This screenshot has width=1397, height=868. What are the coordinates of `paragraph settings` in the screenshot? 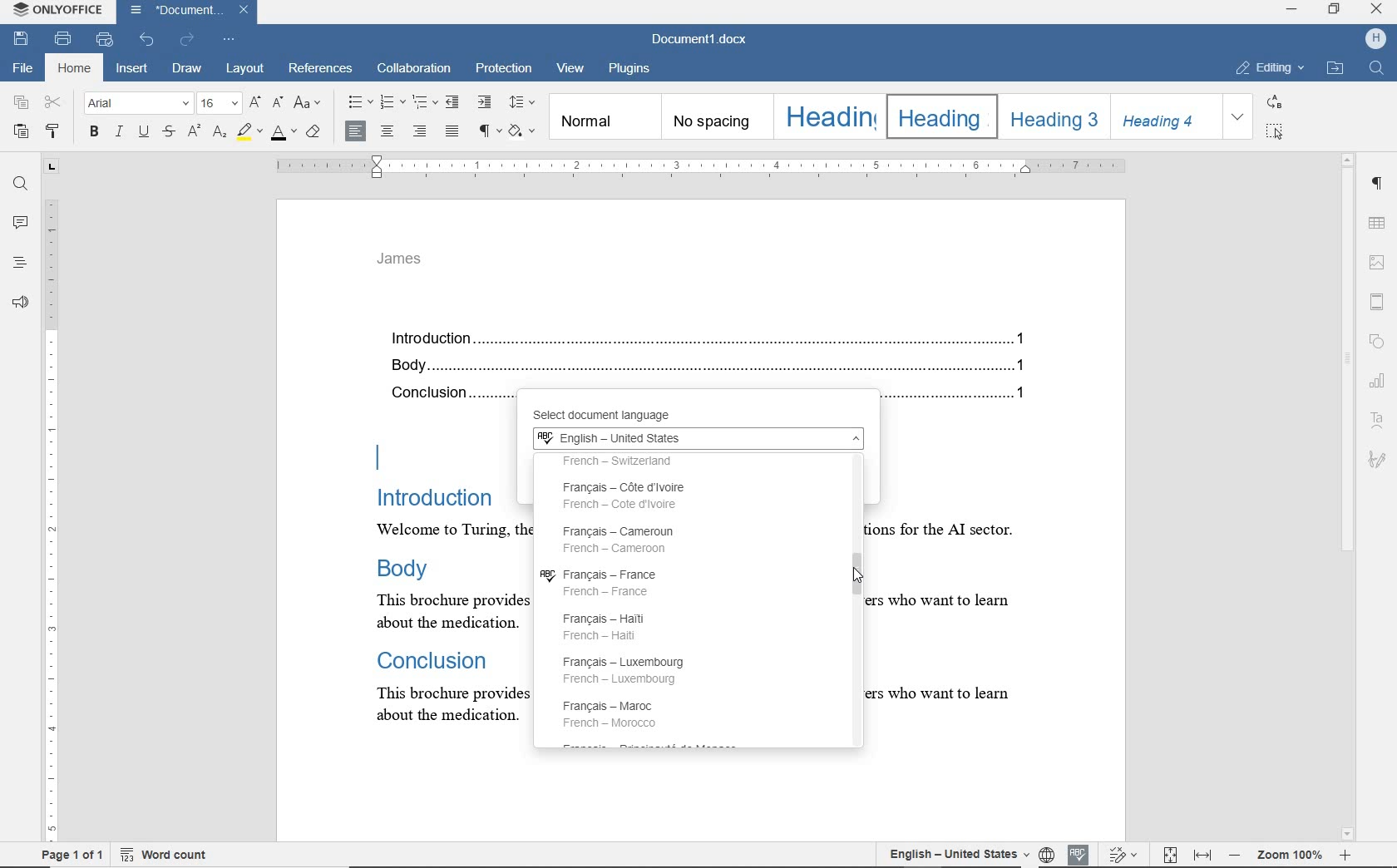 It's located at (1379, 186).